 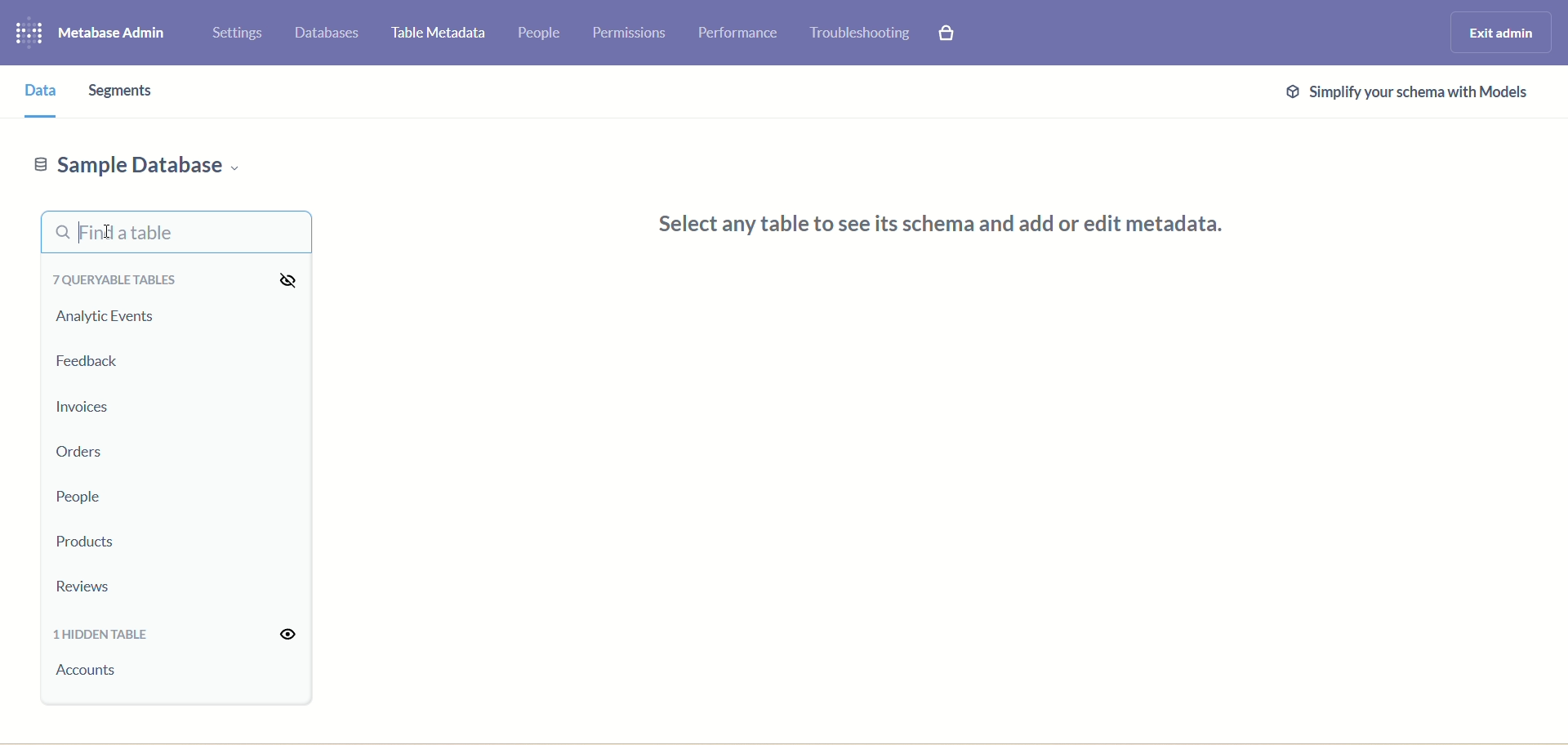 What do you see at coordinates (537, 33) in the screenshot?
I see `people` at bounding box center [537, 33].